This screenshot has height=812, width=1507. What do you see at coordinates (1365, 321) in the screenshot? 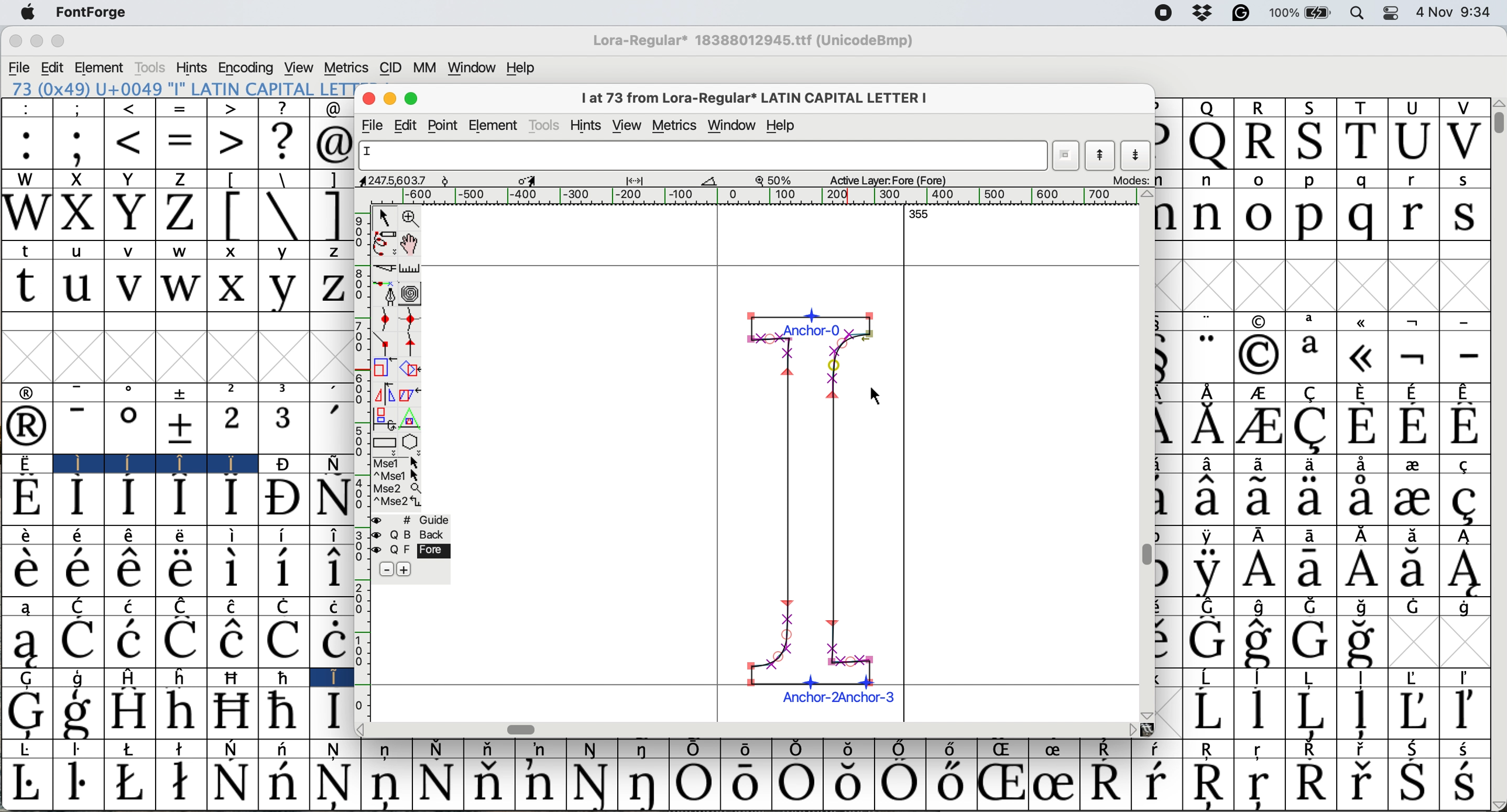
I see `symbol` at bounding box center [1365, 321].